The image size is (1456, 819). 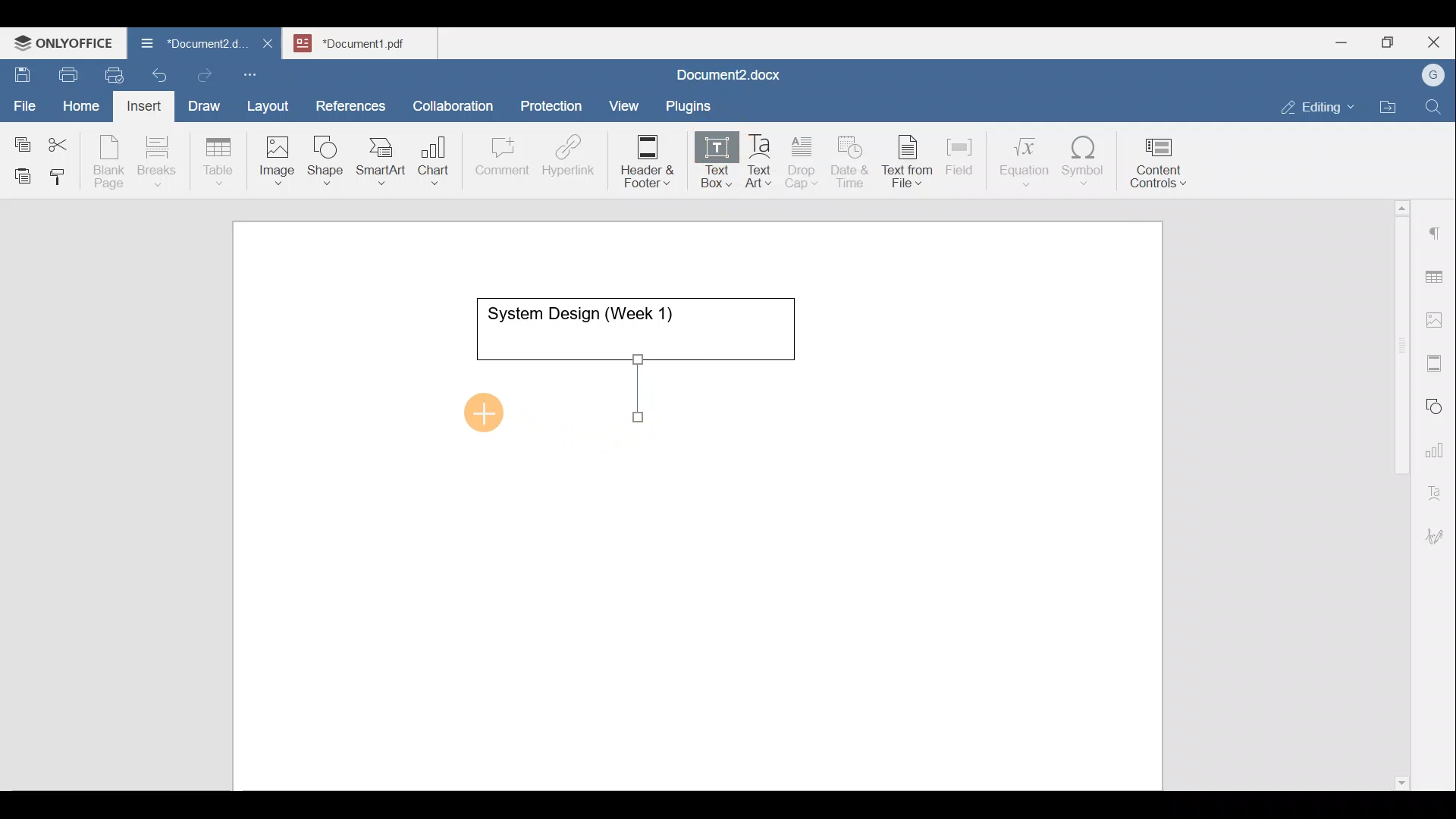 What do you see at coordinates (431, 162) in the screenshot?
I see `Chart` at bounding box center [431, 162].